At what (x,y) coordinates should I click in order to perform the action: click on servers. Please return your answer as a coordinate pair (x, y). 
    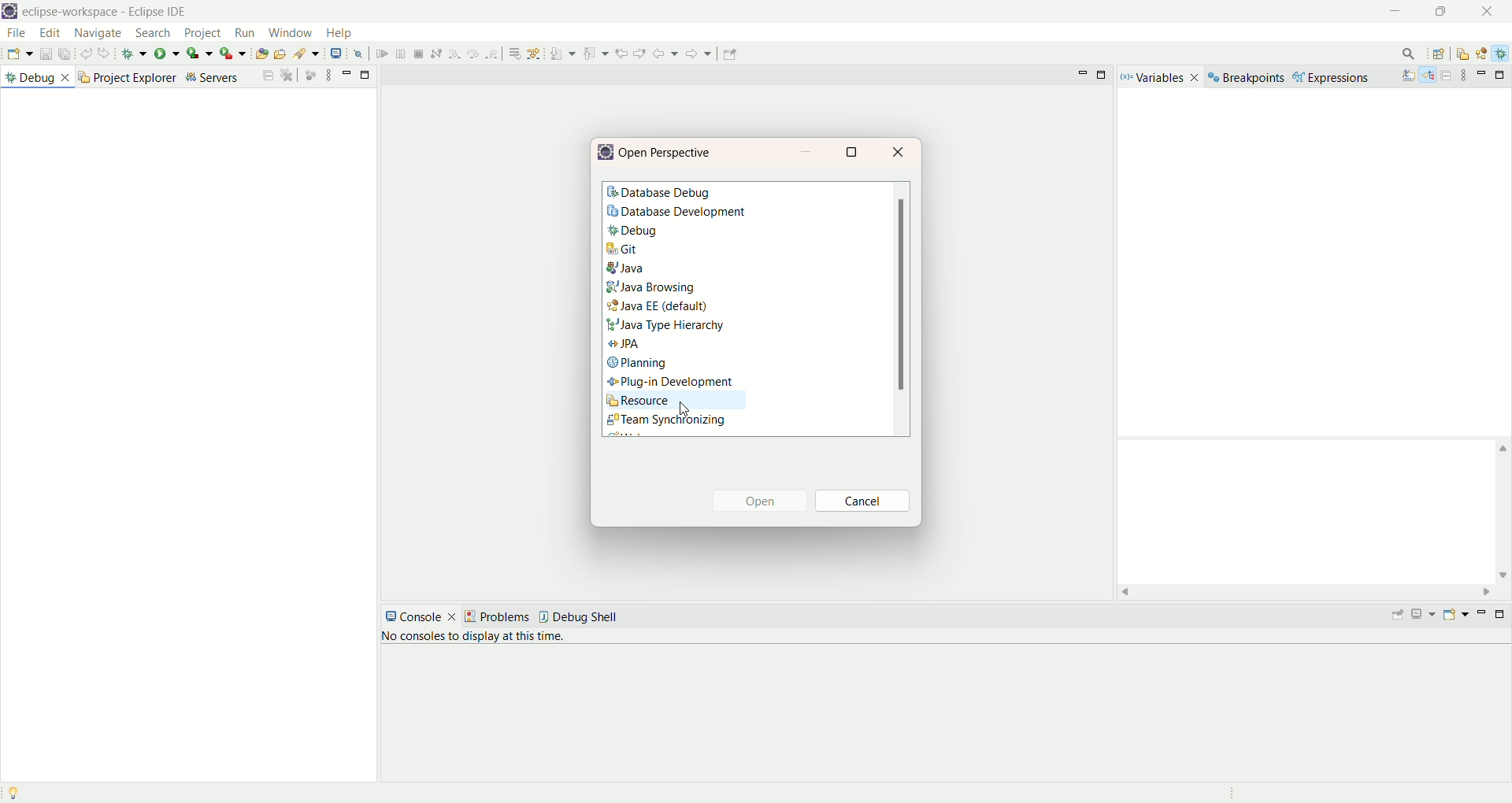
    Looking at the image, I should click on (217, 77).